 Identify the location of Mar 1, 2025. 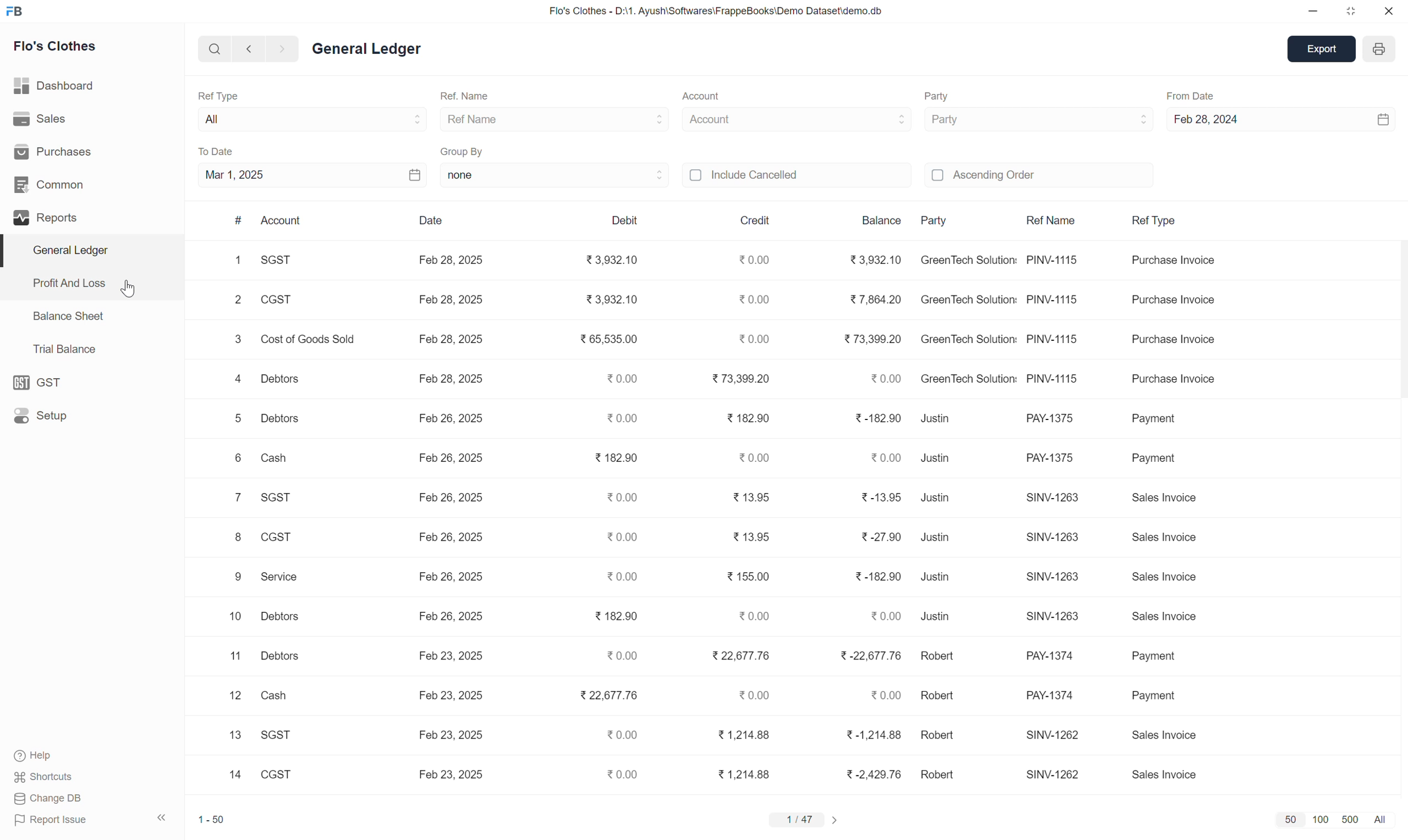
(254, 177).